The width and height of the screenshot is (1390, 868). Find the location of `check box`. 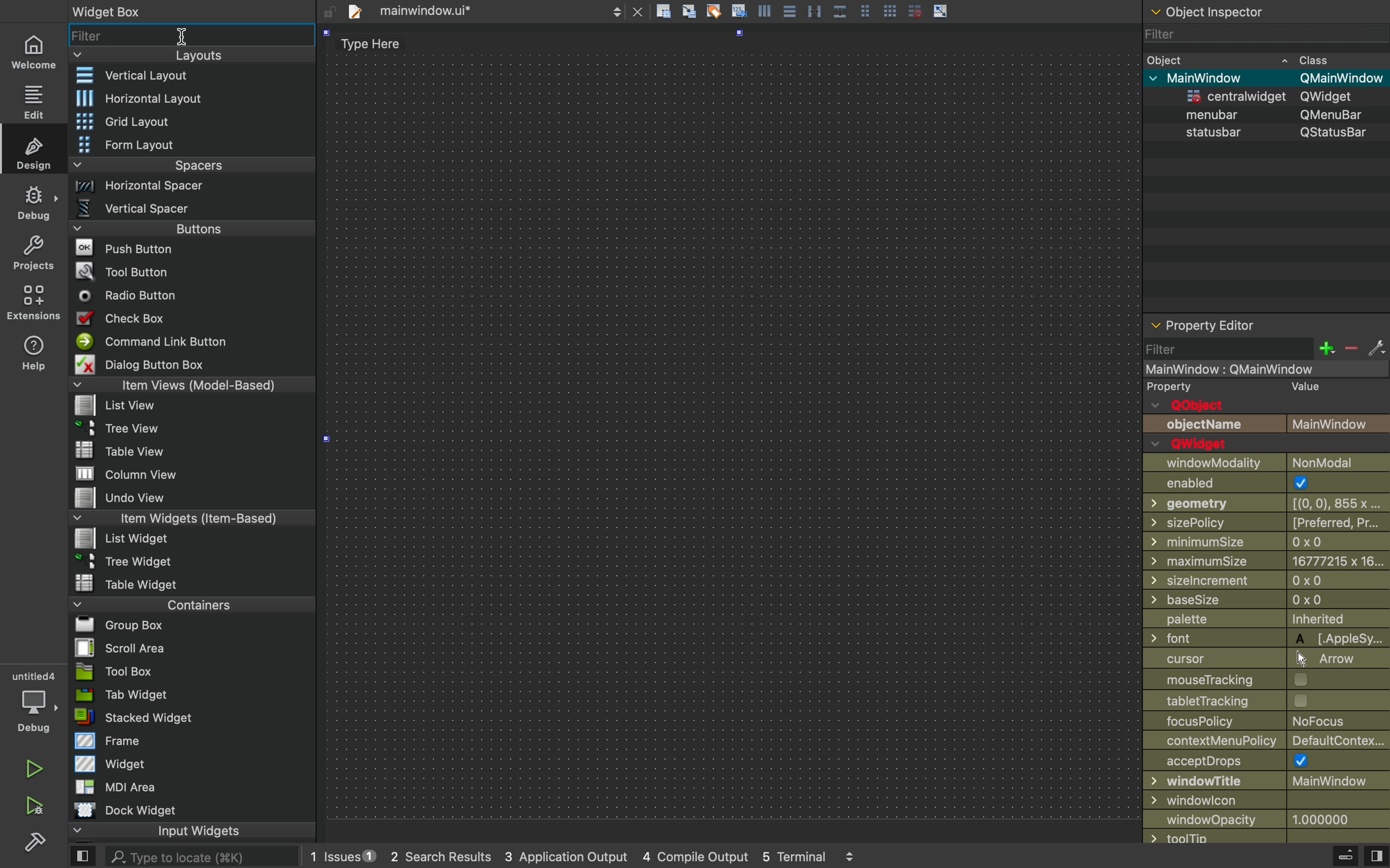

check box is located at coordinates (191, 316).